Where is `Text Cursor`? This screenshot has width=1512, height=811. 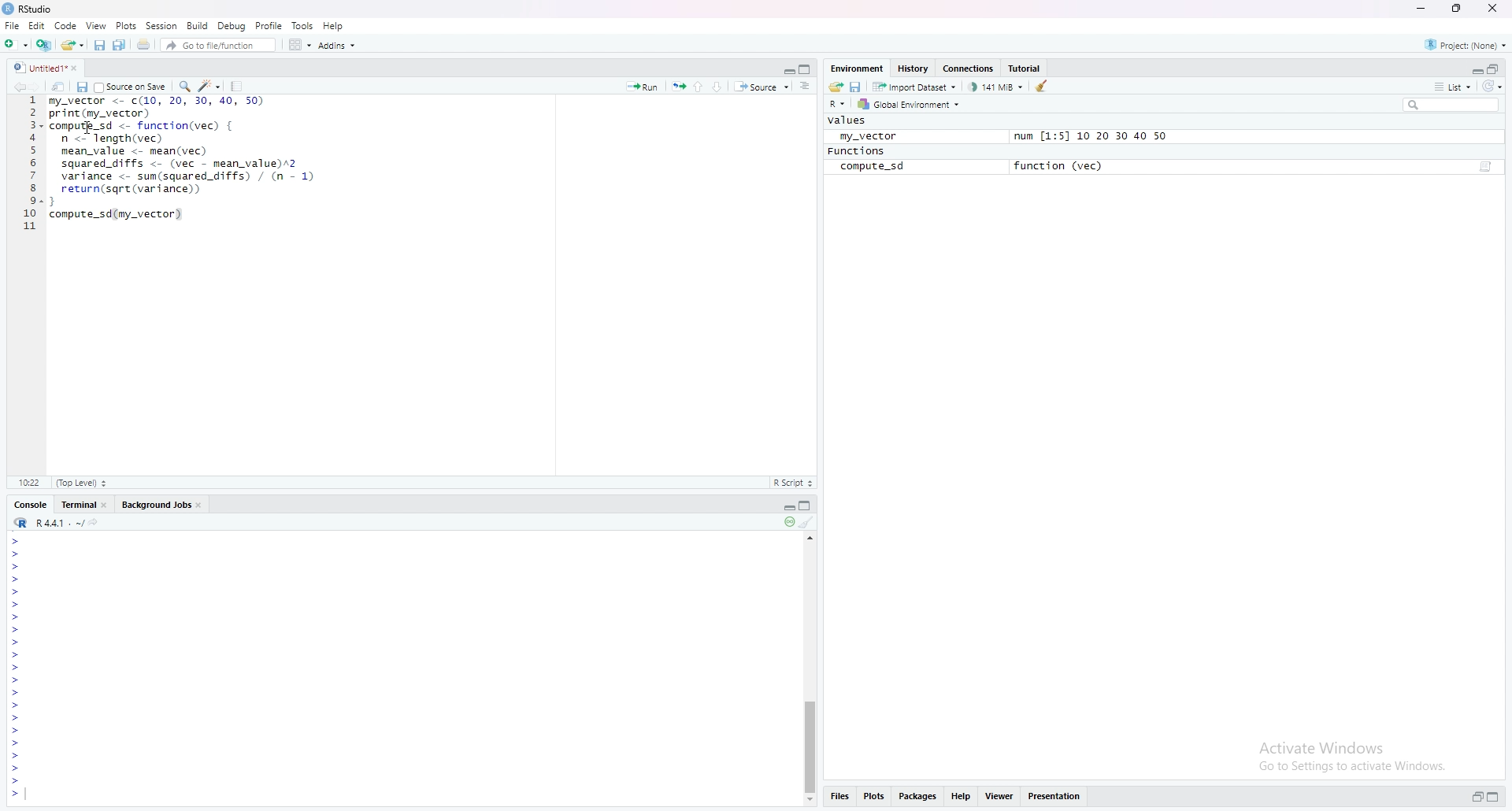
Text Cursor is located at coordinates (90, 129).